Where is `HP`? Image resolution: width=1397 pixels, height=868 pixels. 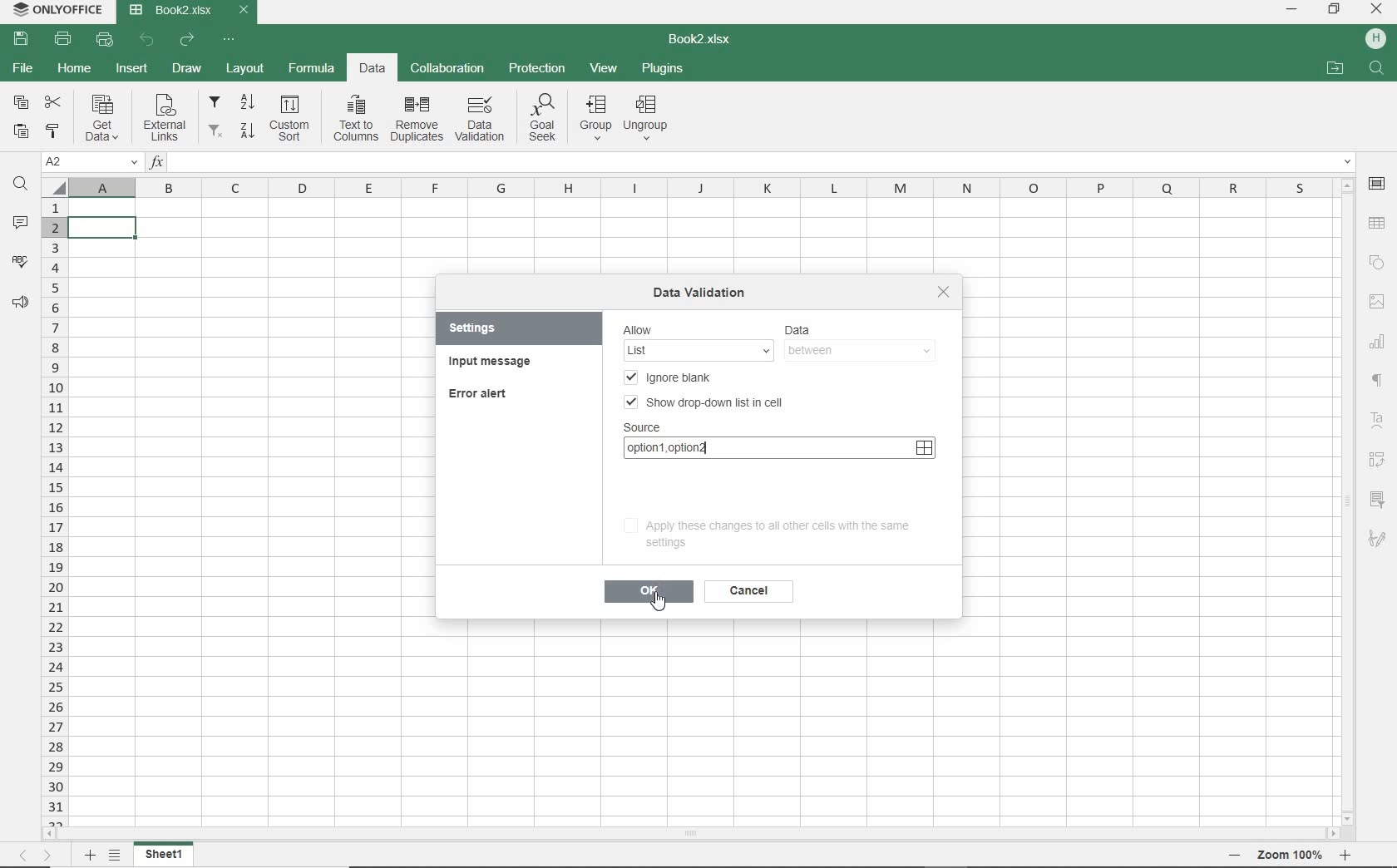
HP is located at coordinates (1376, 40).